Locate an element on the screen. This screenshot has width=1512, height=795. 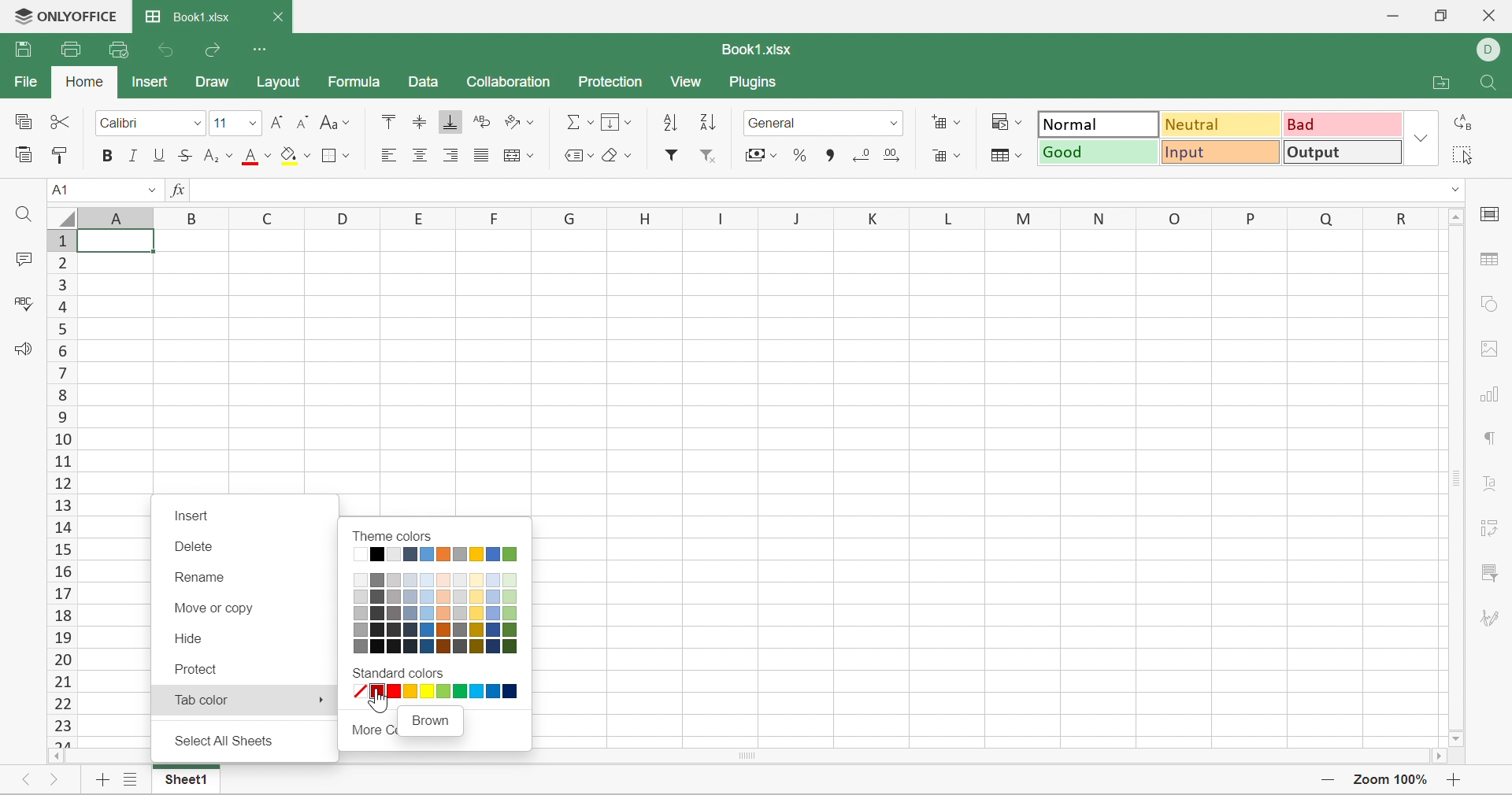
Align Middle is located at coordinates (421, 124).